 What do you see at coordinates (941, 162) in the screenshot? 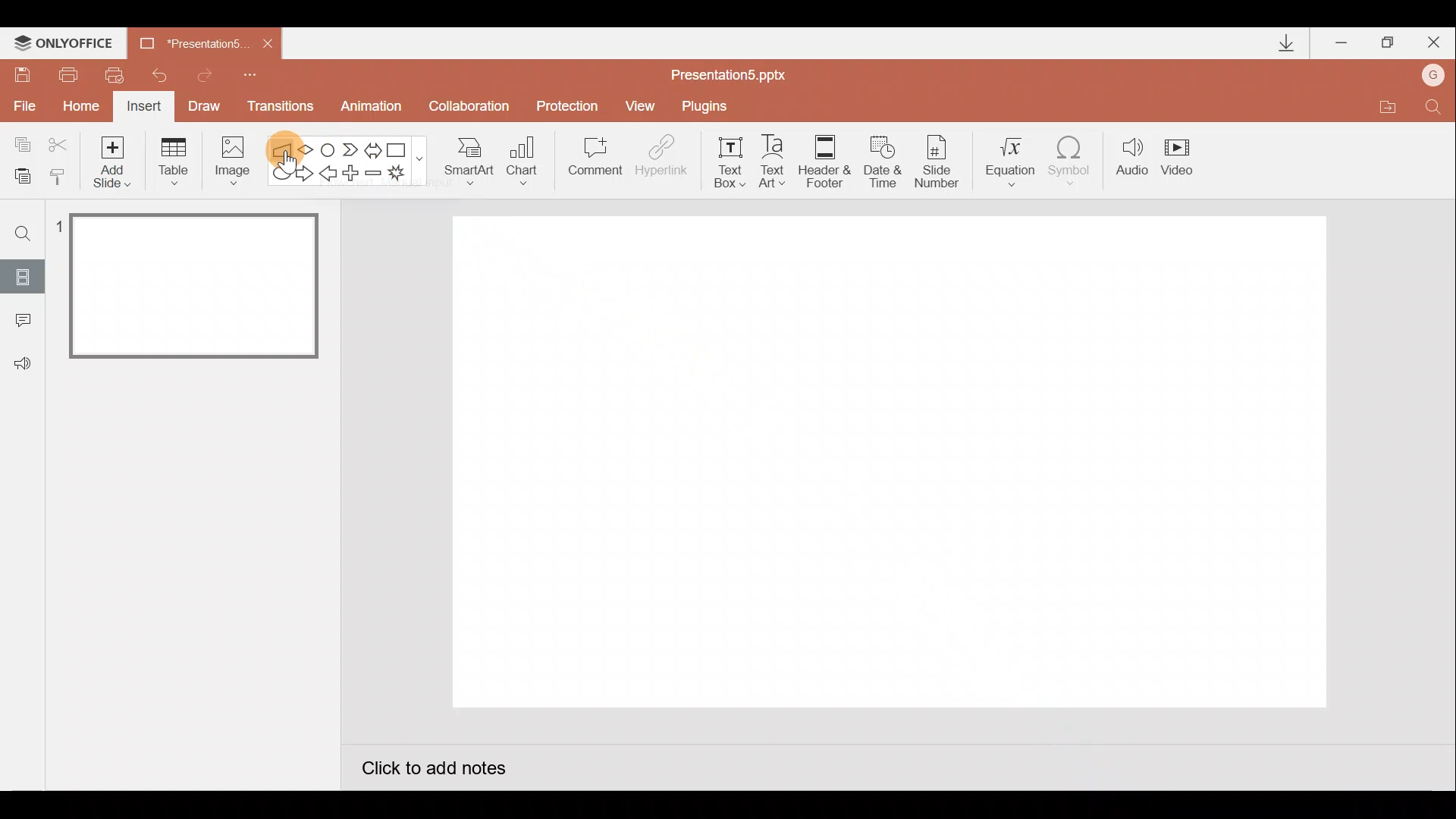
I see `Slide number` at bounding box center [941, 162].